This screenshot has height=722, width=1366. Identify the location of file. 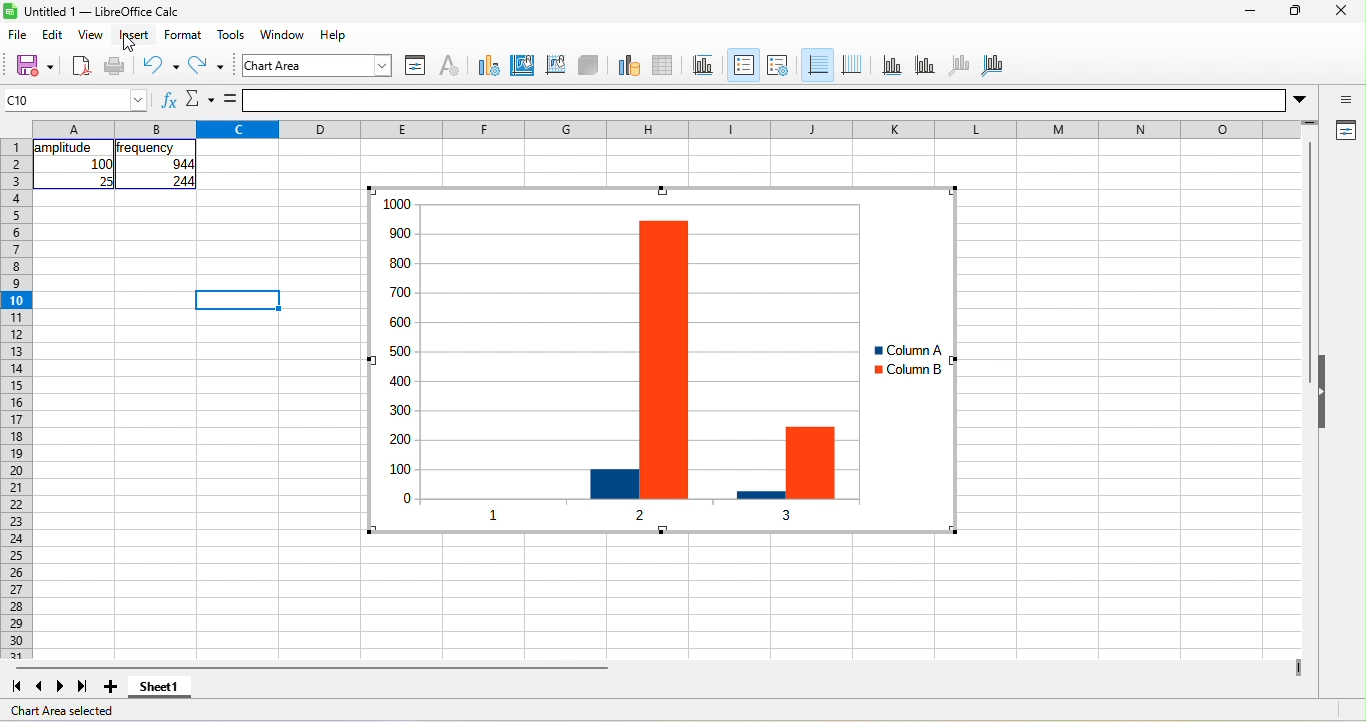
(19, 36).